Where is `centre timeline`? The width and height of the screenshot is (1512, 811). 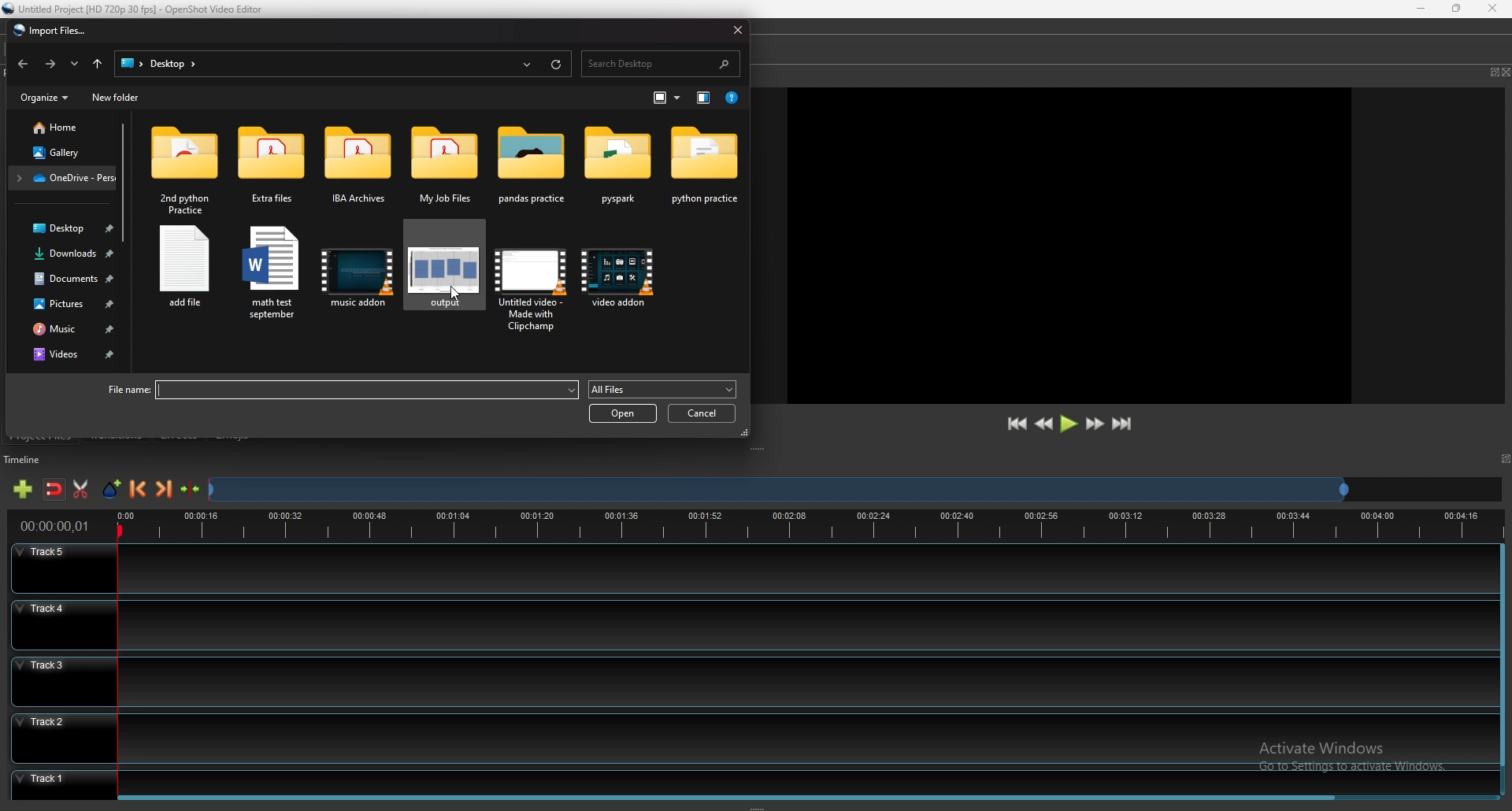
centre timeline is located at coordinates (191, 489).